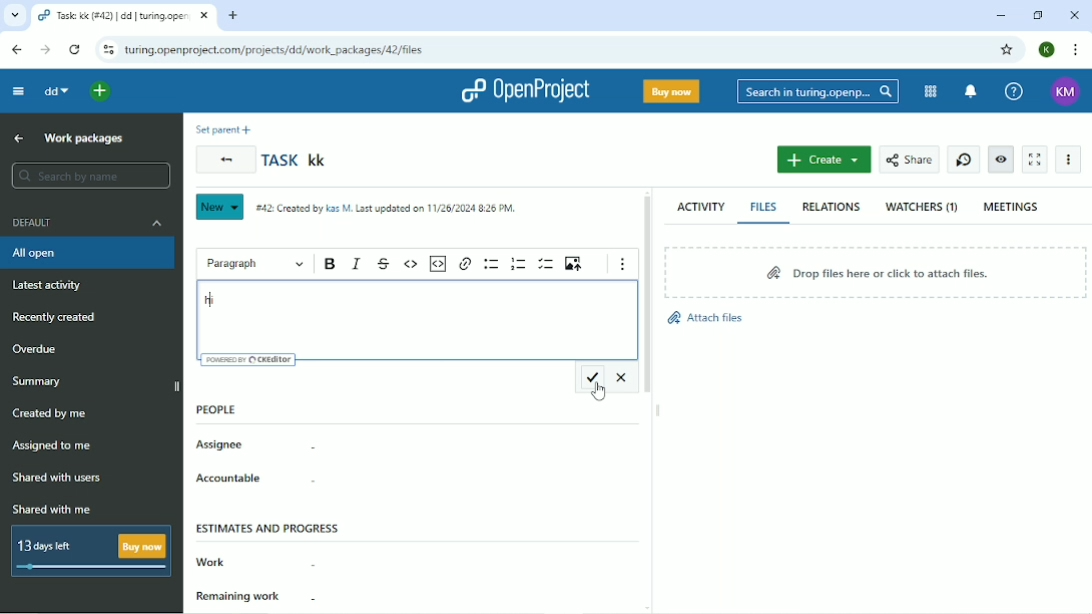 This screenshot has height=614, width=1092. What do you see at coordinates (600, 392) in the screenshot?
I see `Cursor` at bounding box center [600, 392].